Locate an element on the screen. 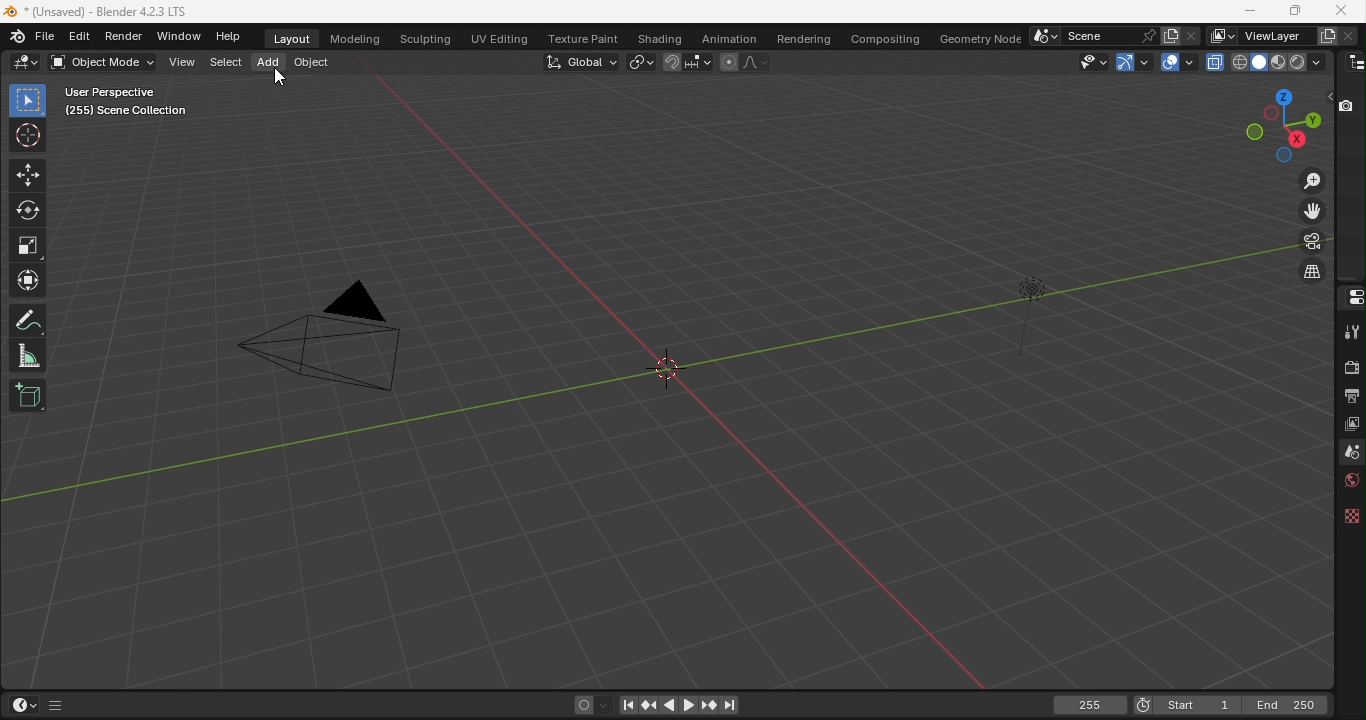 The image size is (1366, 720). Auto keyframing is located at coordinates (603, 705).